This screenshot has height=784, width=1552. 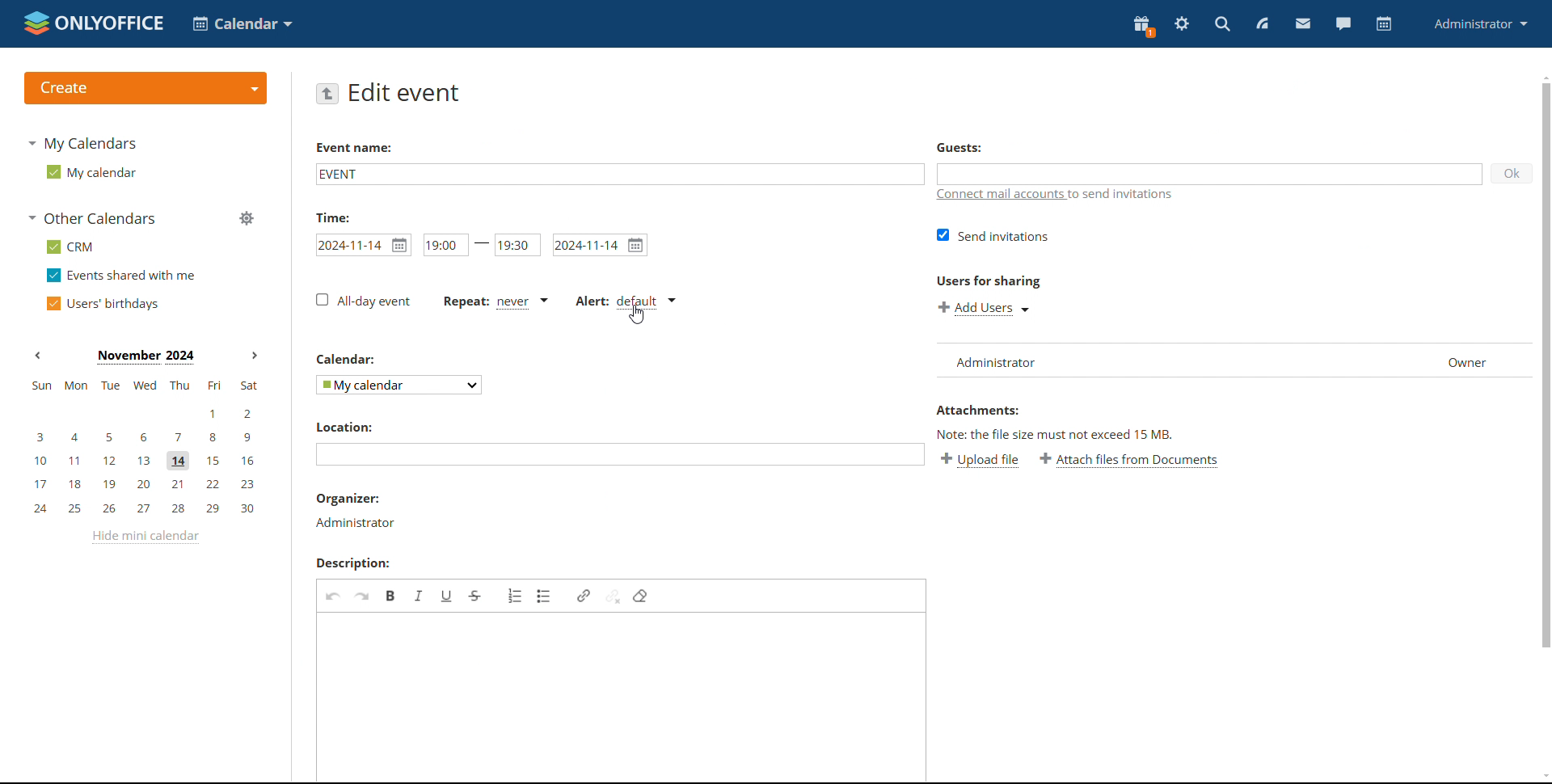 I want to click on italic, so click(x=419, y=595).